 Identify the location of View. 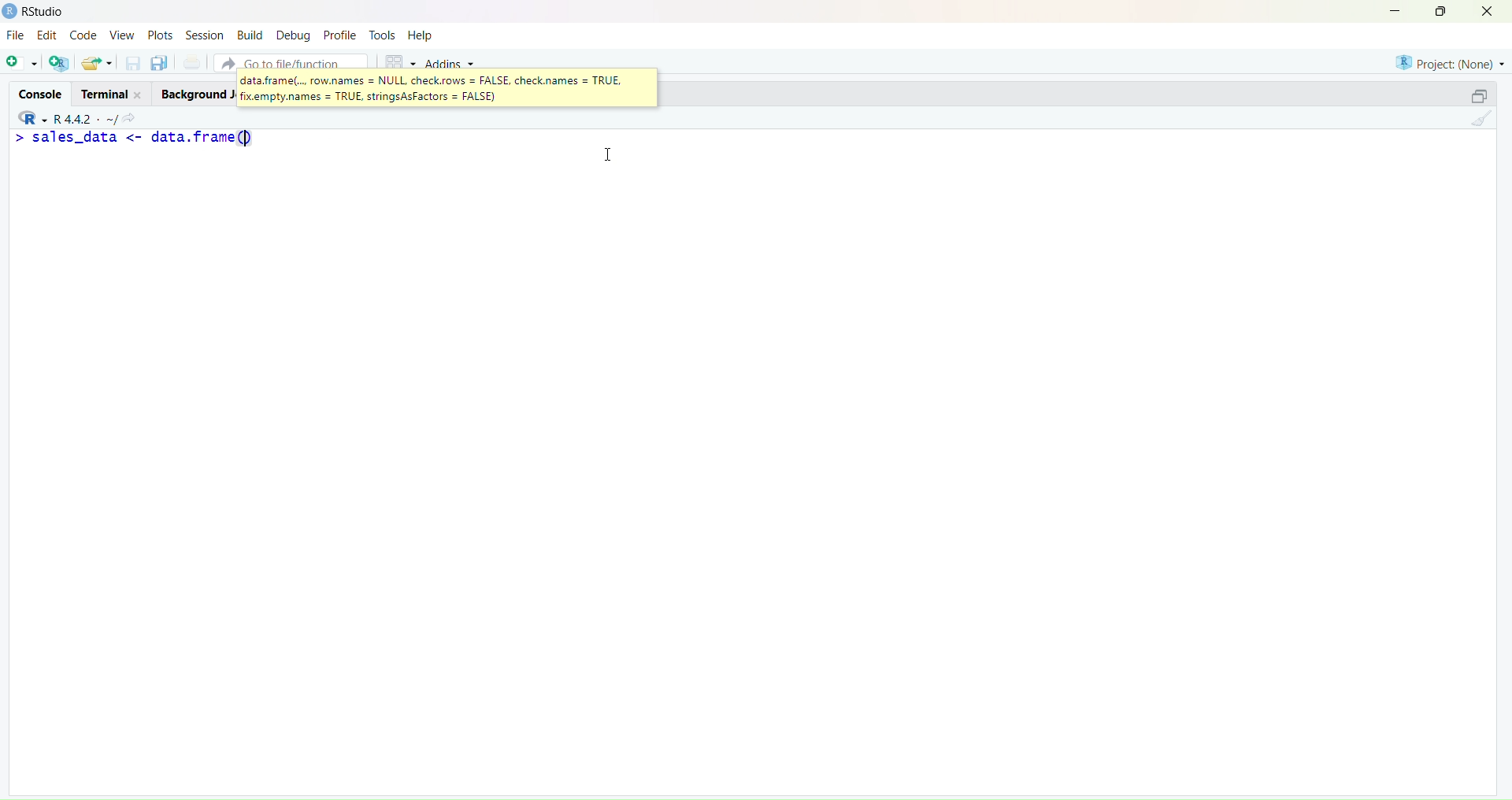
(124, 36).